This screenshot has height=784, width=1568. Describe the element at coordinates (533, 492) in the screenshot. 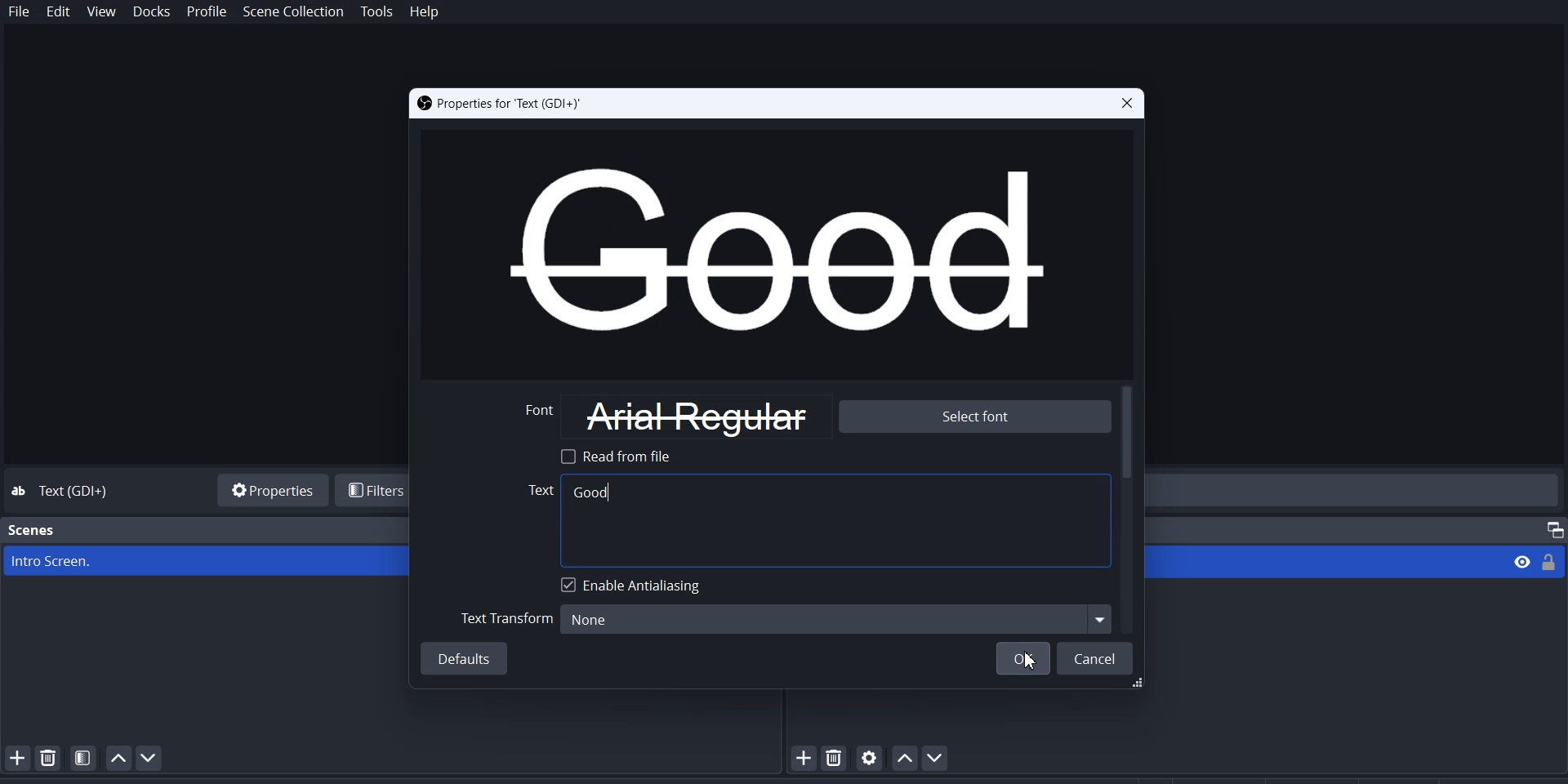

I see `Text` at that location.